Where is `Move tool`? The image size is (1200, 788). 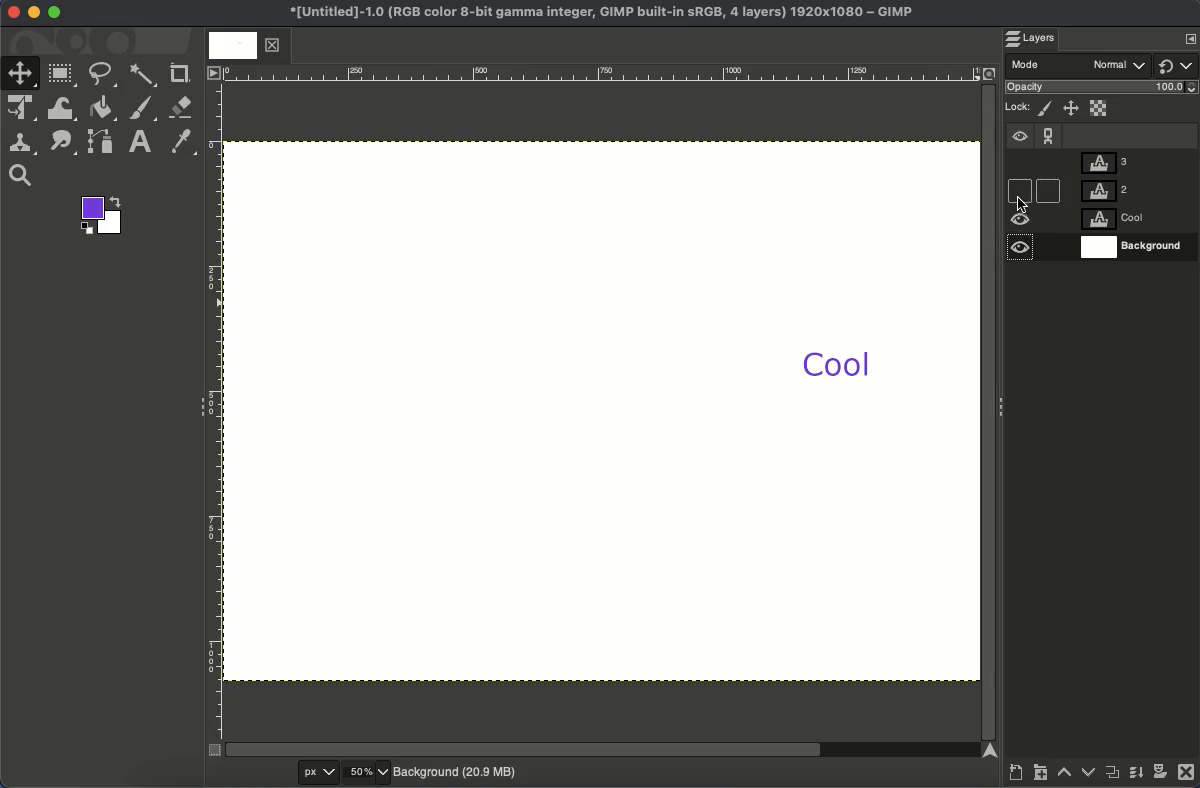
Move tool is located at coordinates (21, 72).